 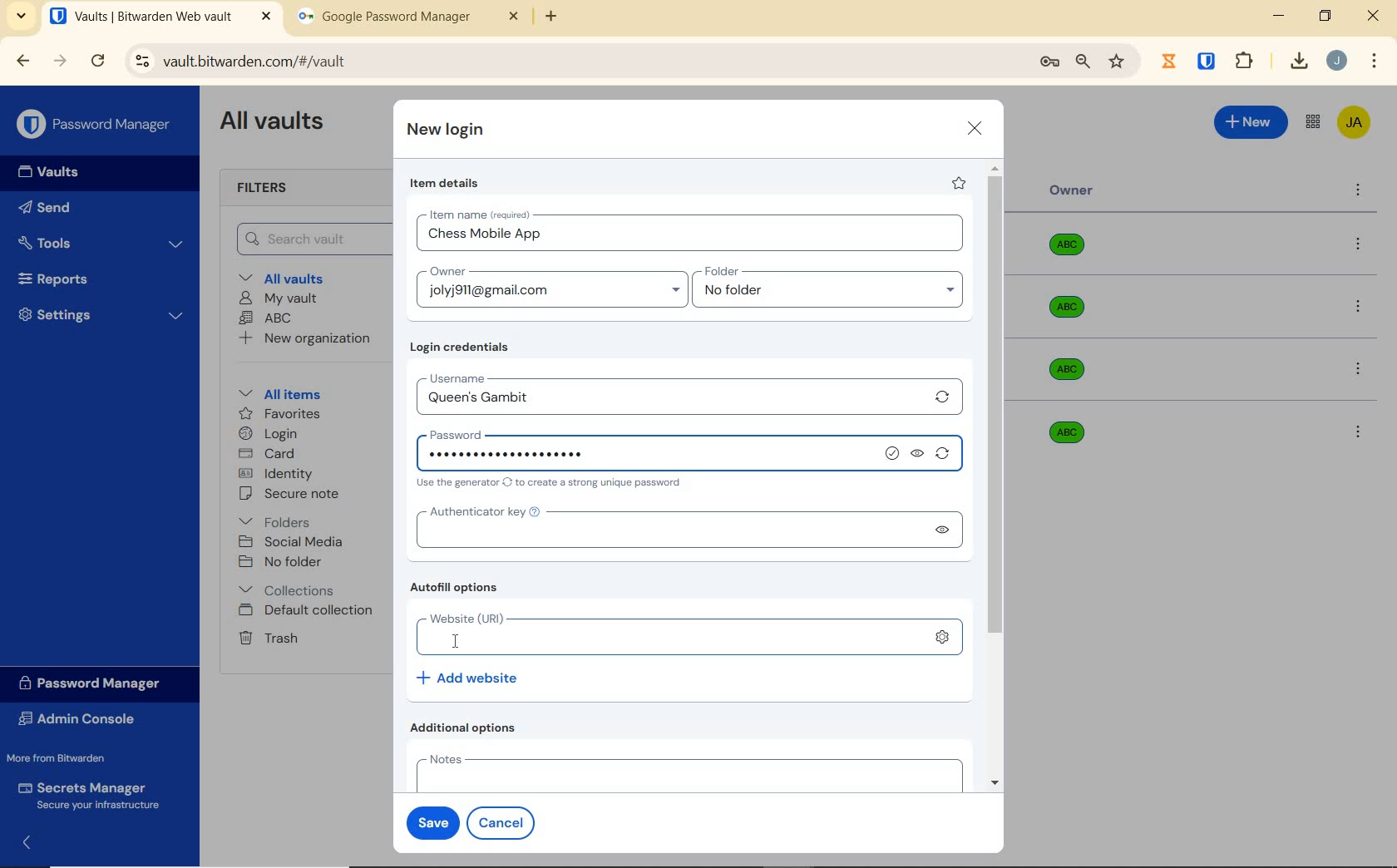 What do you see at coordinates (1361, 371) in the screenshot?
I see `option` at bounding box center [1361, 371].